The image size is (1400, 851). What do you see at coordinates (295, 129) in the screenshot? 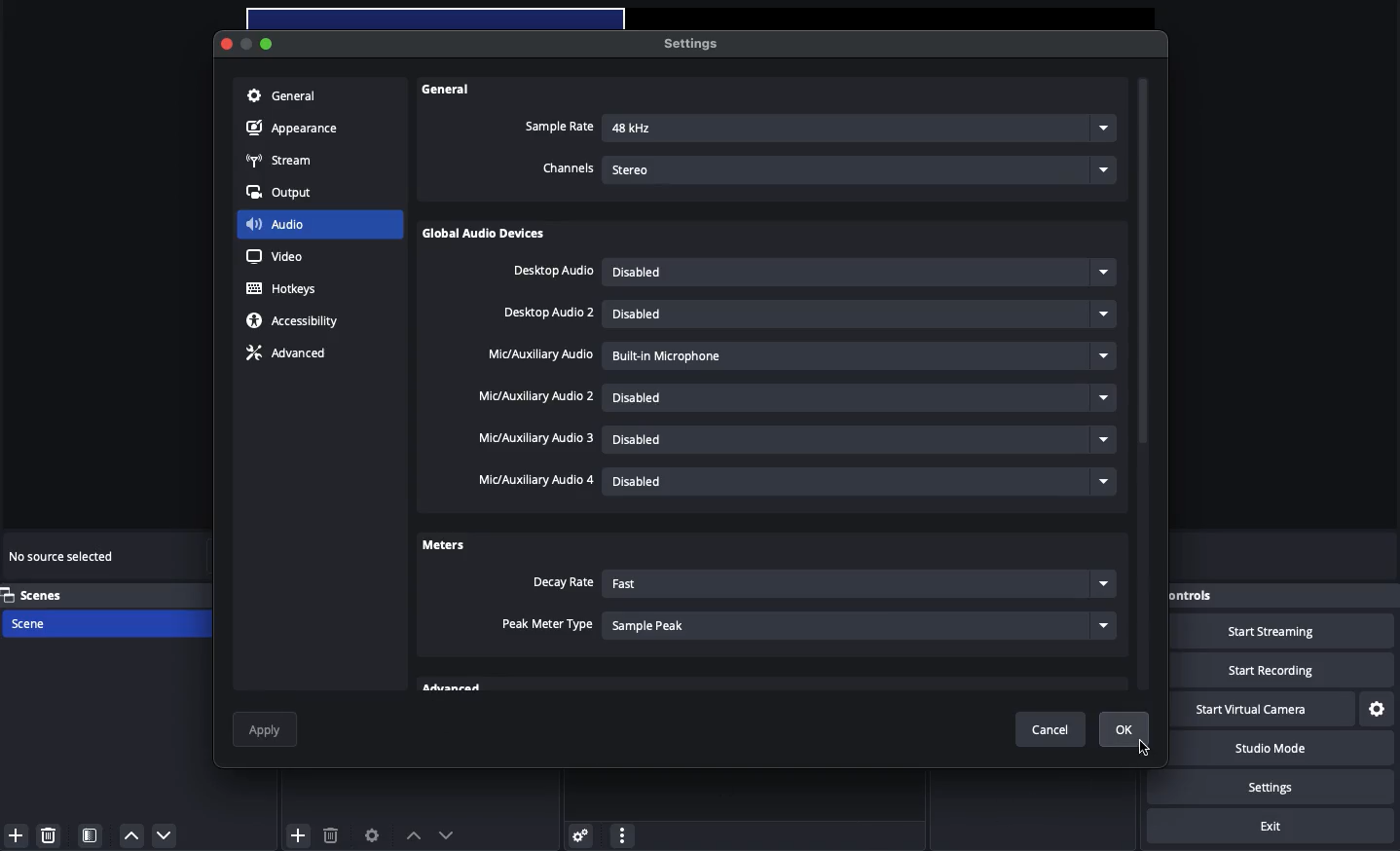
I see `Appearance` at bounding box center [295, 129].